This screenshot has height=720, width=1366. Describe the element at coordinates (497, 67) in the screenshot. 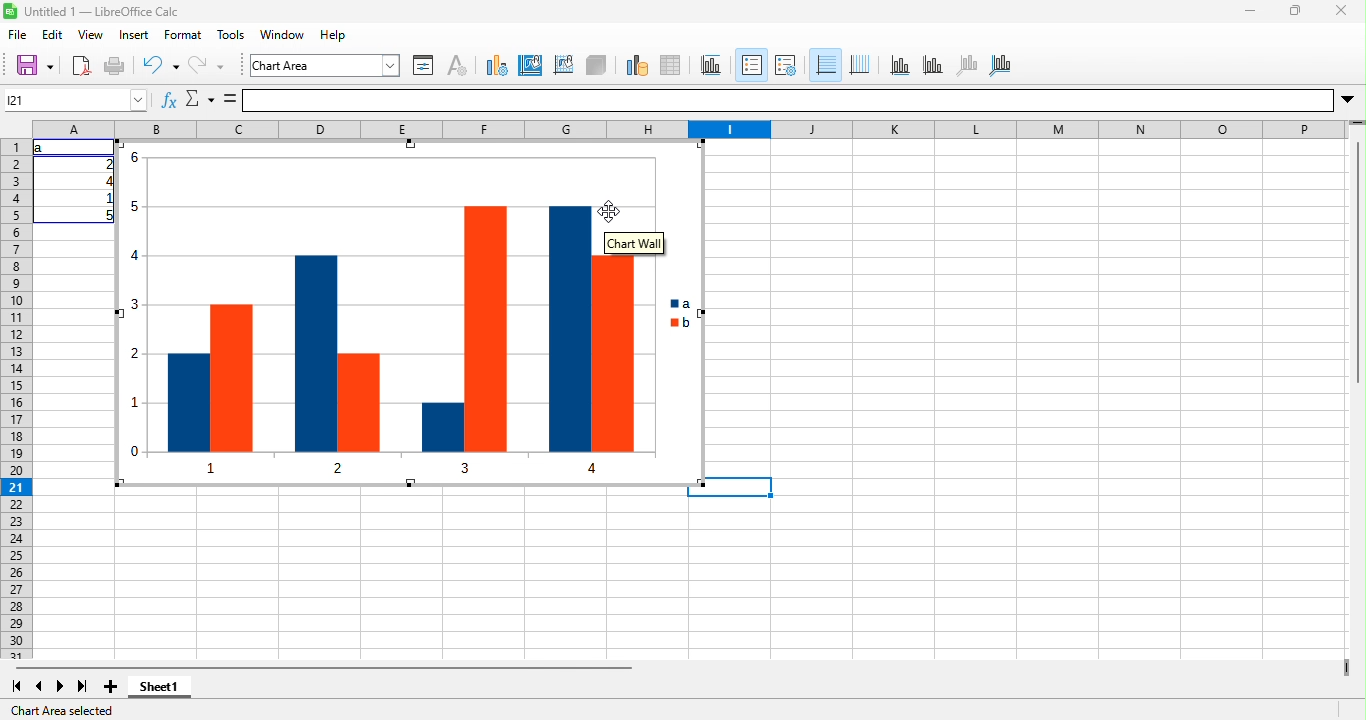

I see `chart type` at that location.